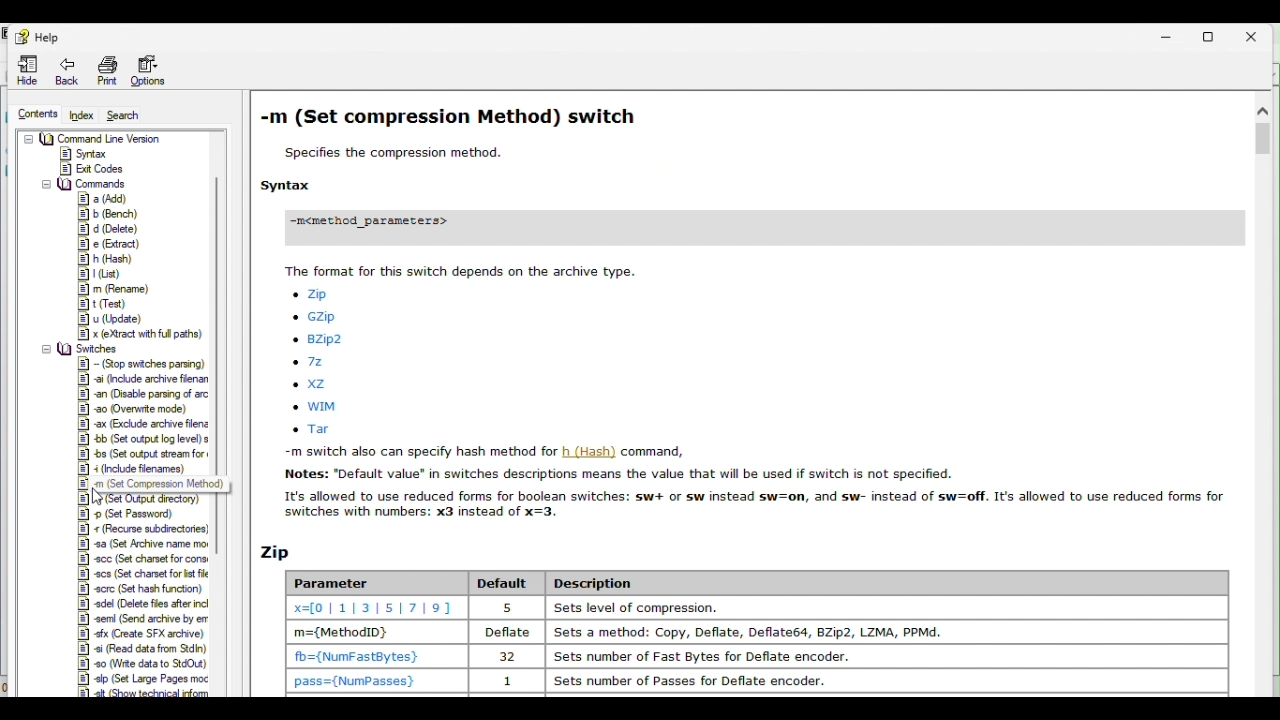 The width and height of the screenshot is (1280, 720). I want to click on extract, so click(139, 333).